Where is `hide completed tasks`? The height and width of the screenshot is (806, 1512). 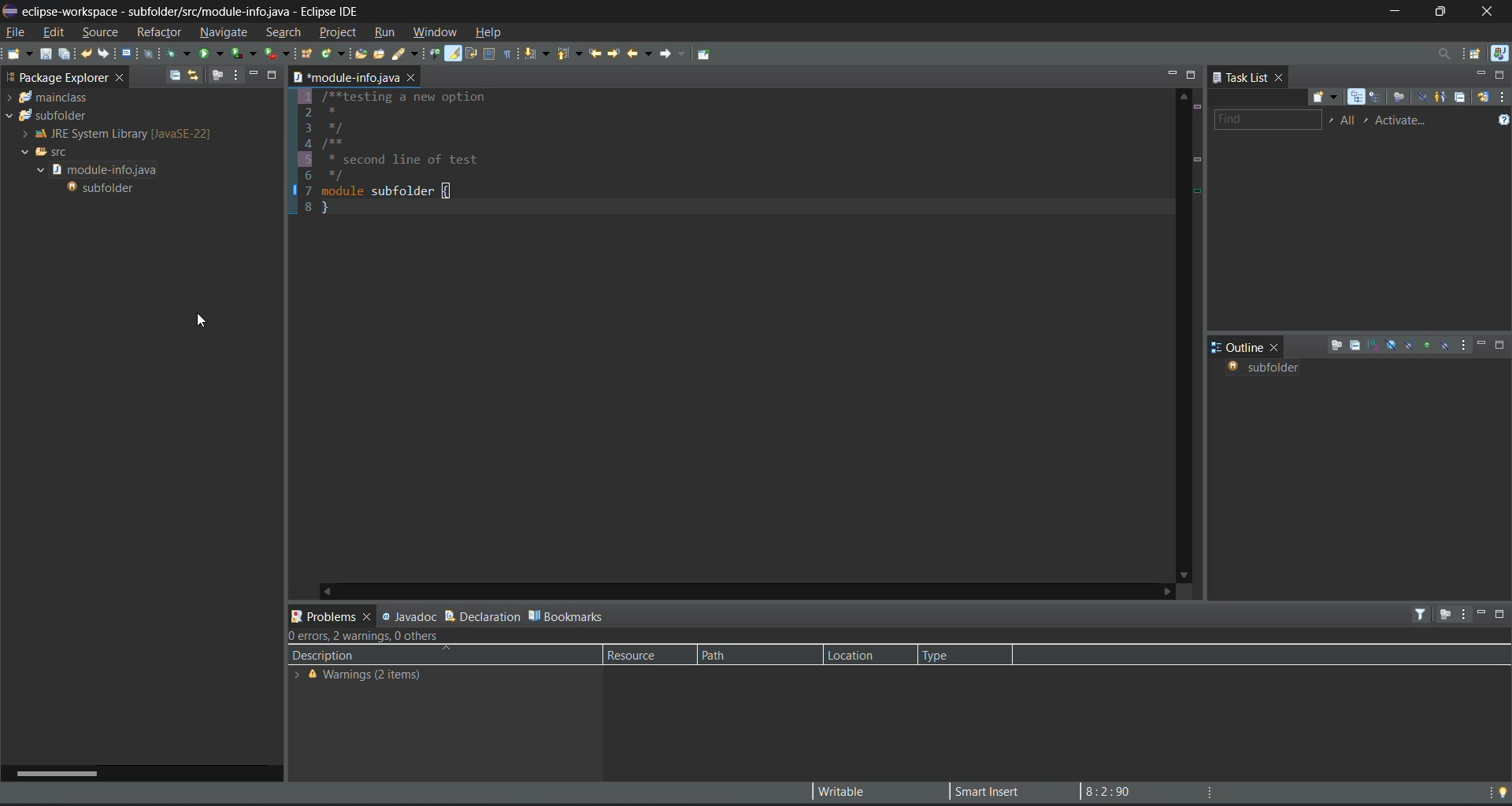 hide completed tasks is located at coordinates (1423, 98).